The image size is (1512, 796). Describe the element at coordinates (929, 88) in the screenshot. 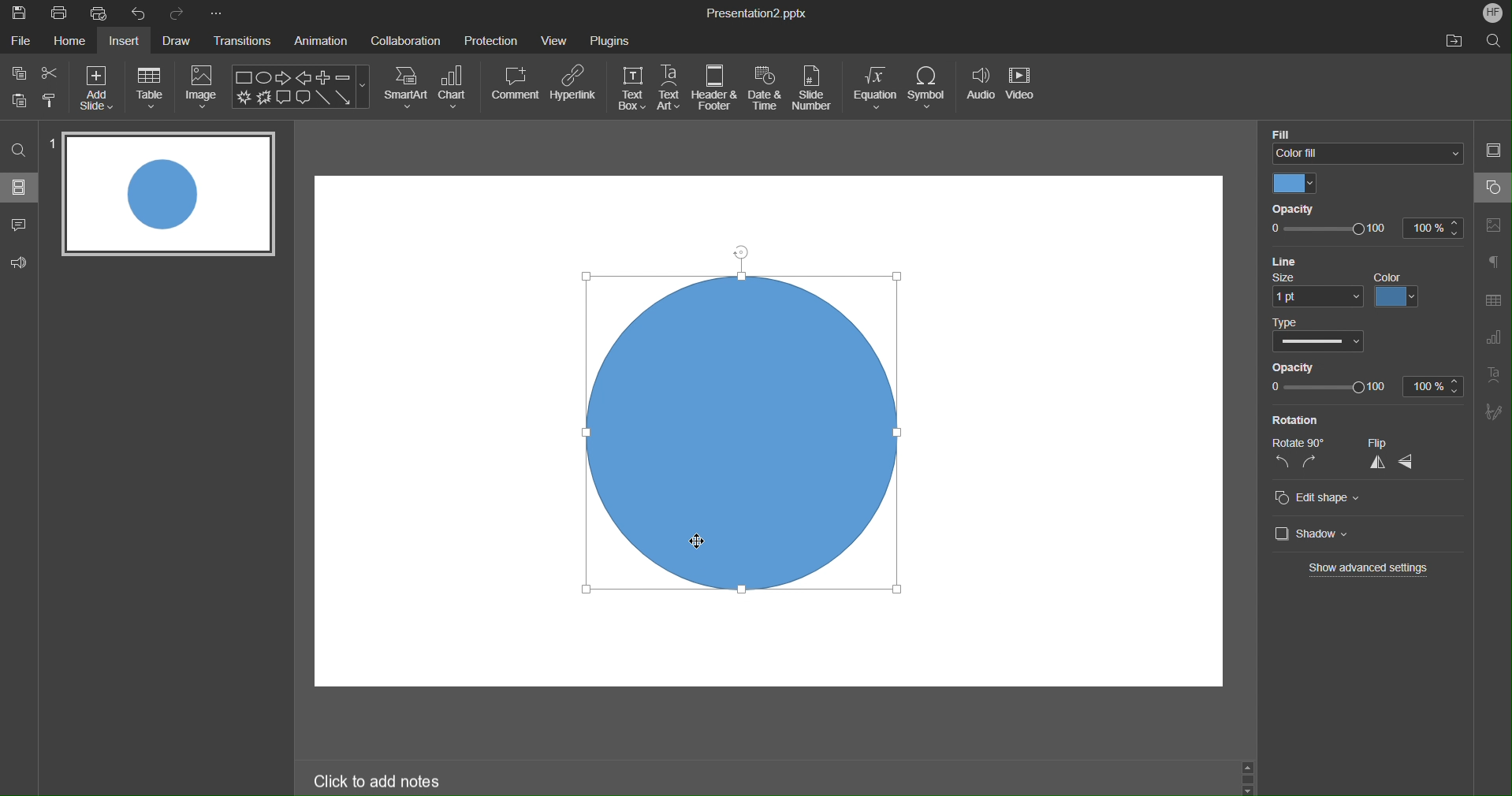

I see `Symbol` at that location.